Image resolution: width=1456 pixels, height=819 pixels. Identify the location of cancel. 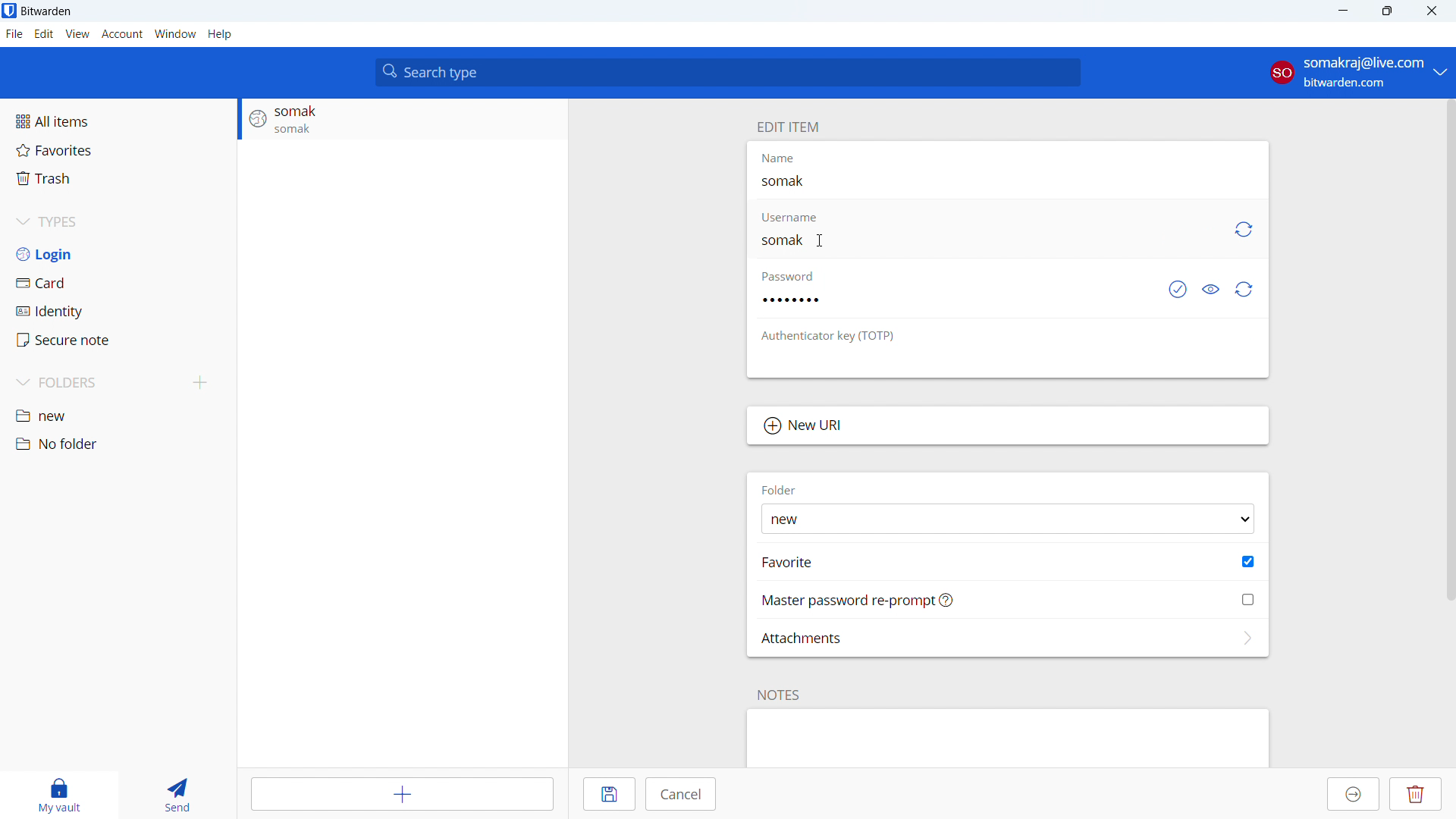
(682, 795).